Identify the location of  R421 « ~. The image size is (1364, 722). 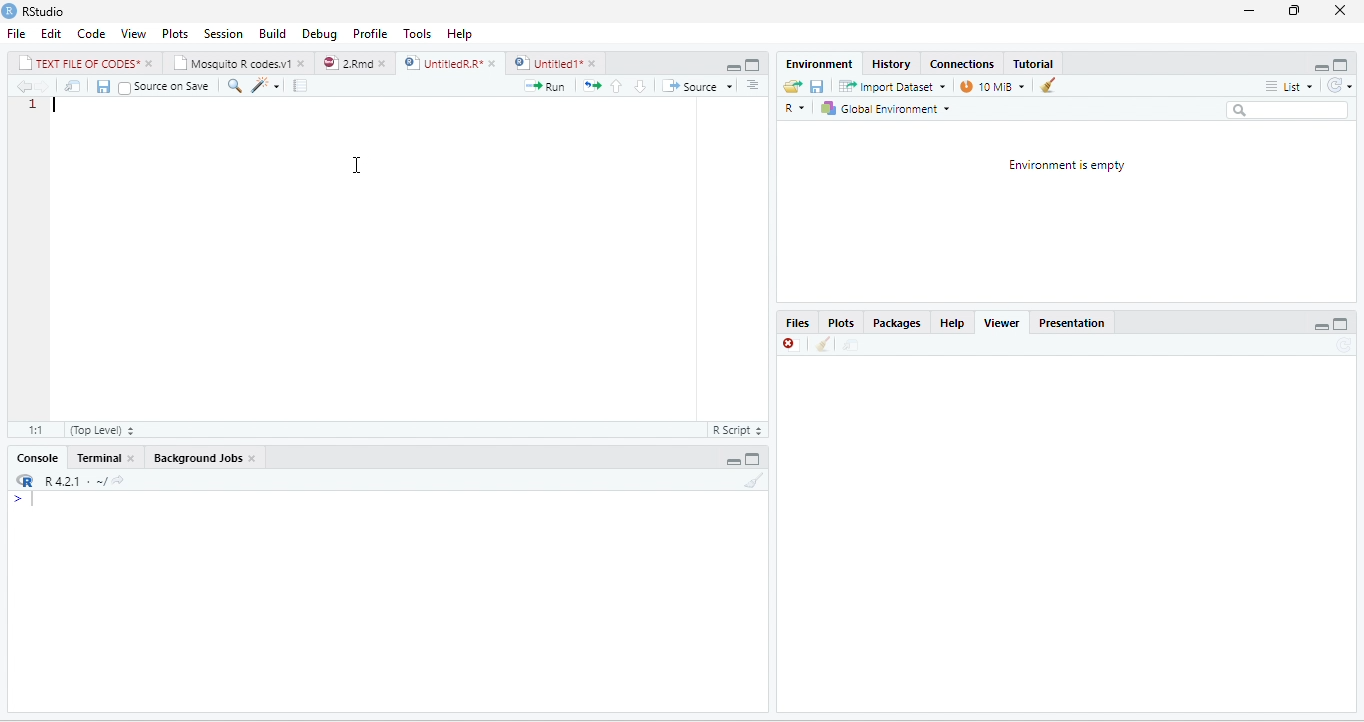
(66, 478).